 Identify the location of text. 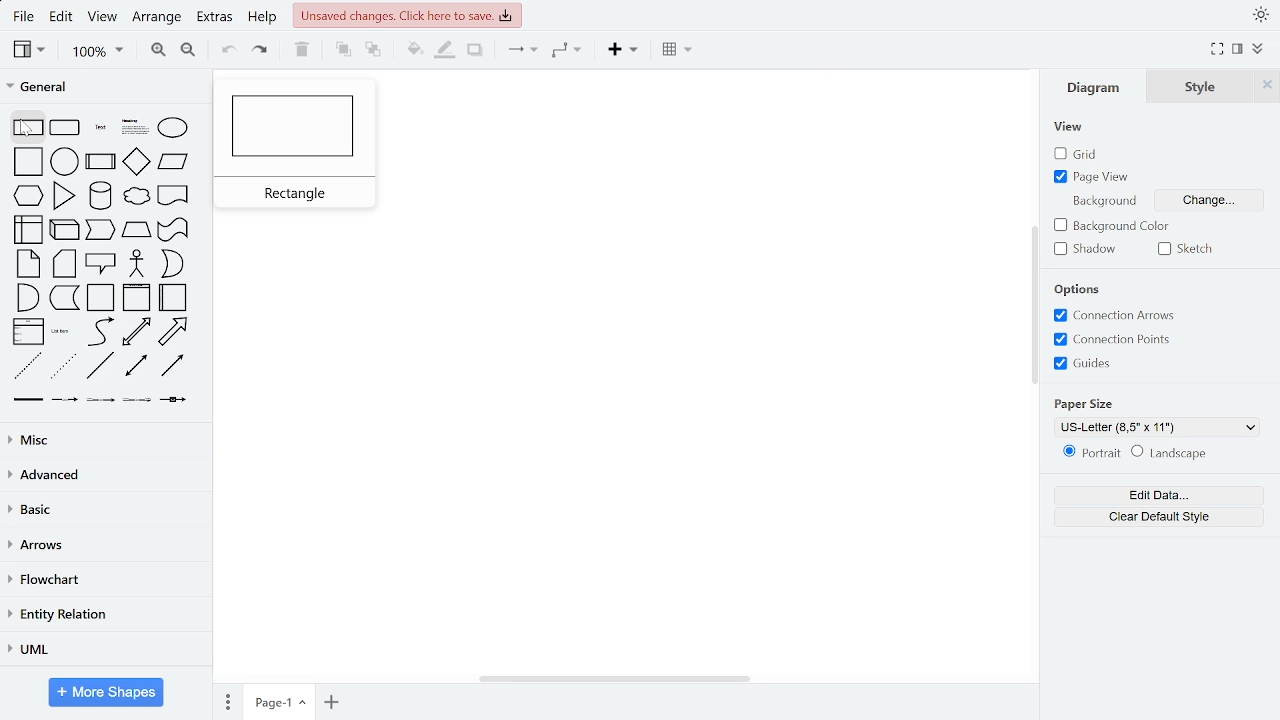
(1103, 201).